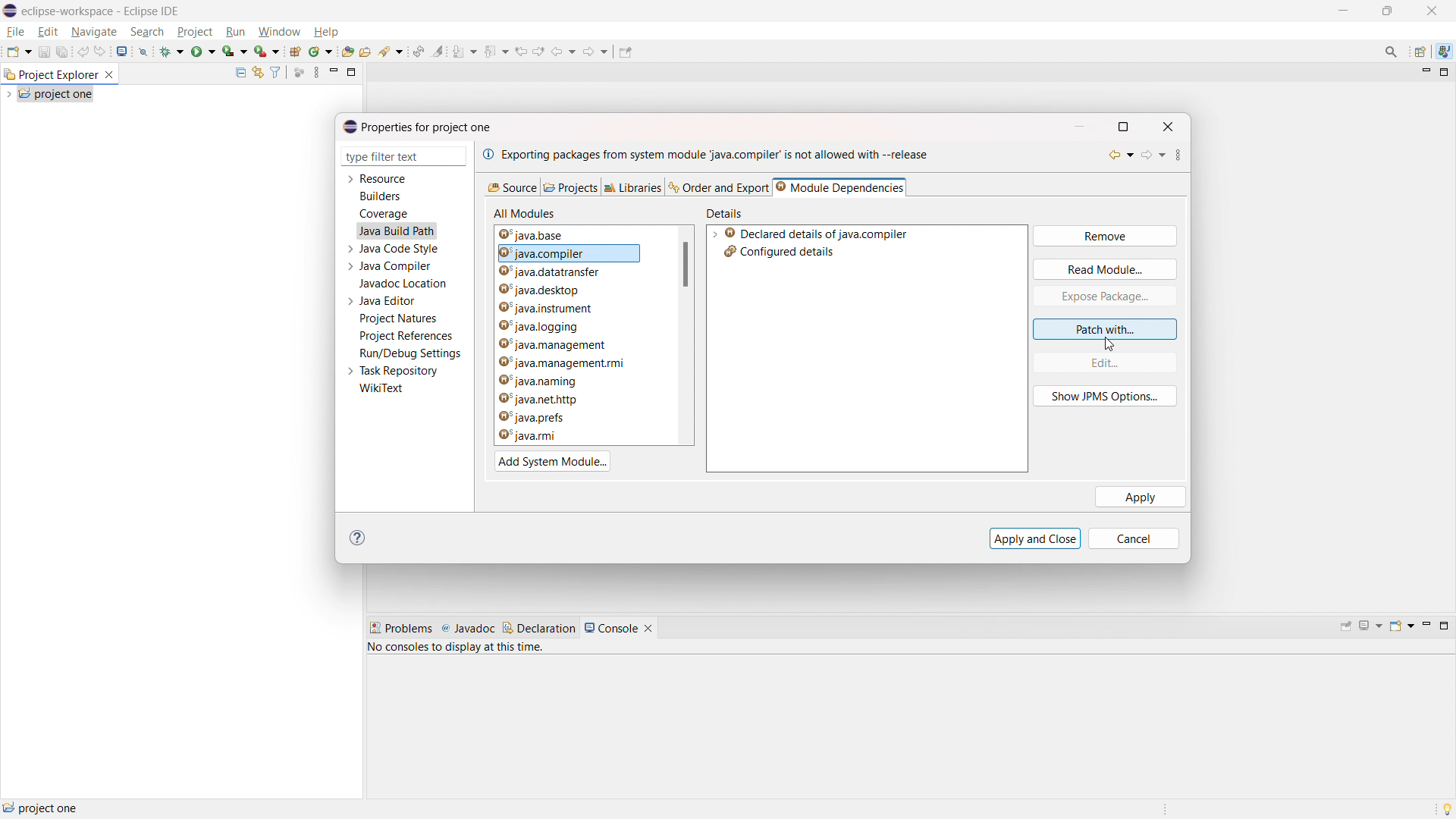 This screenshot has height=819, width=1456. Describe the element at coordinates (350, 301) in the screenshot. I see `expand java editor` at that location.